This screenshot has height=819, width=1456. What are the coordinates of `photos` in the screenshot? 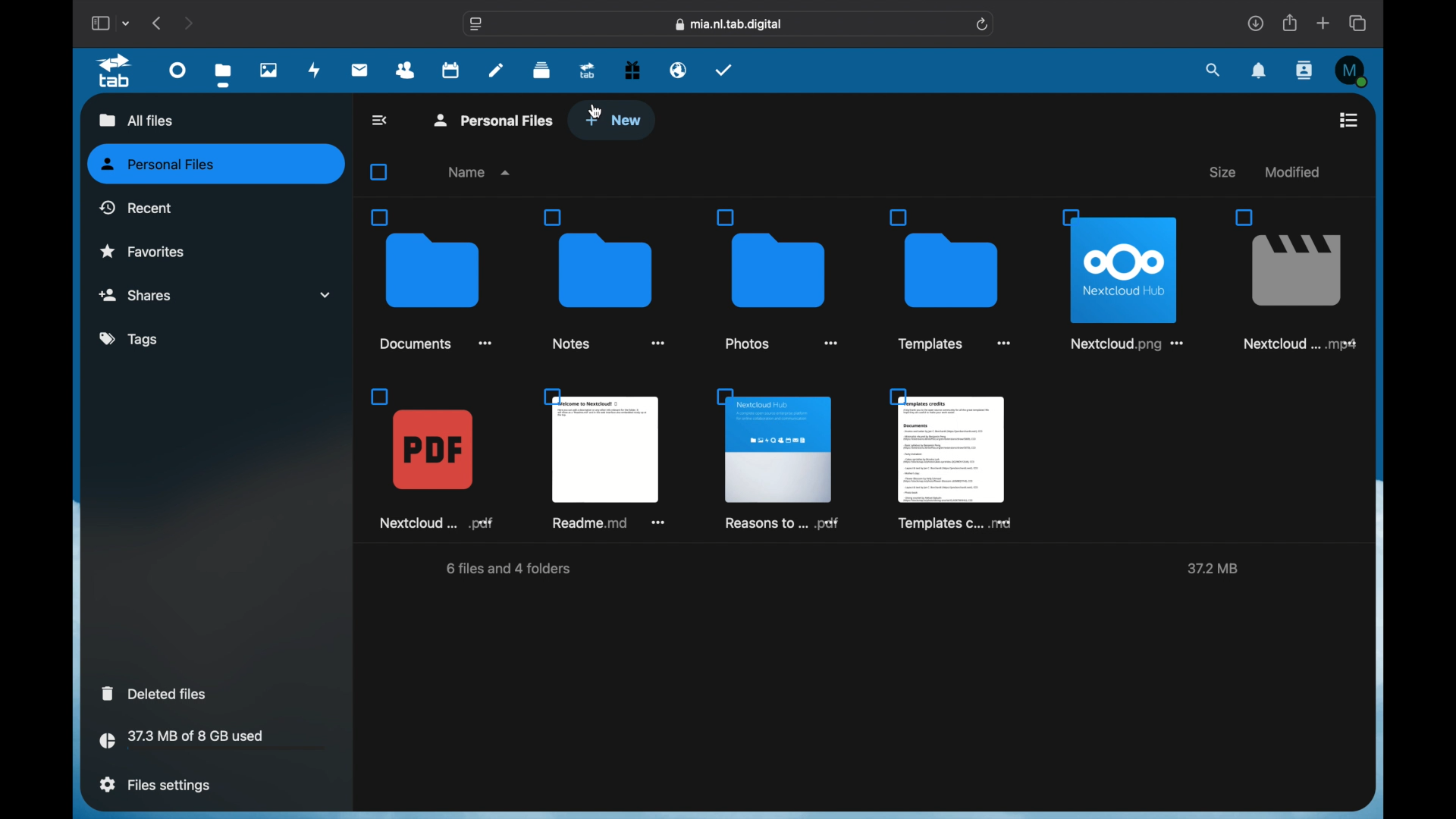 It's located at (270, 70).